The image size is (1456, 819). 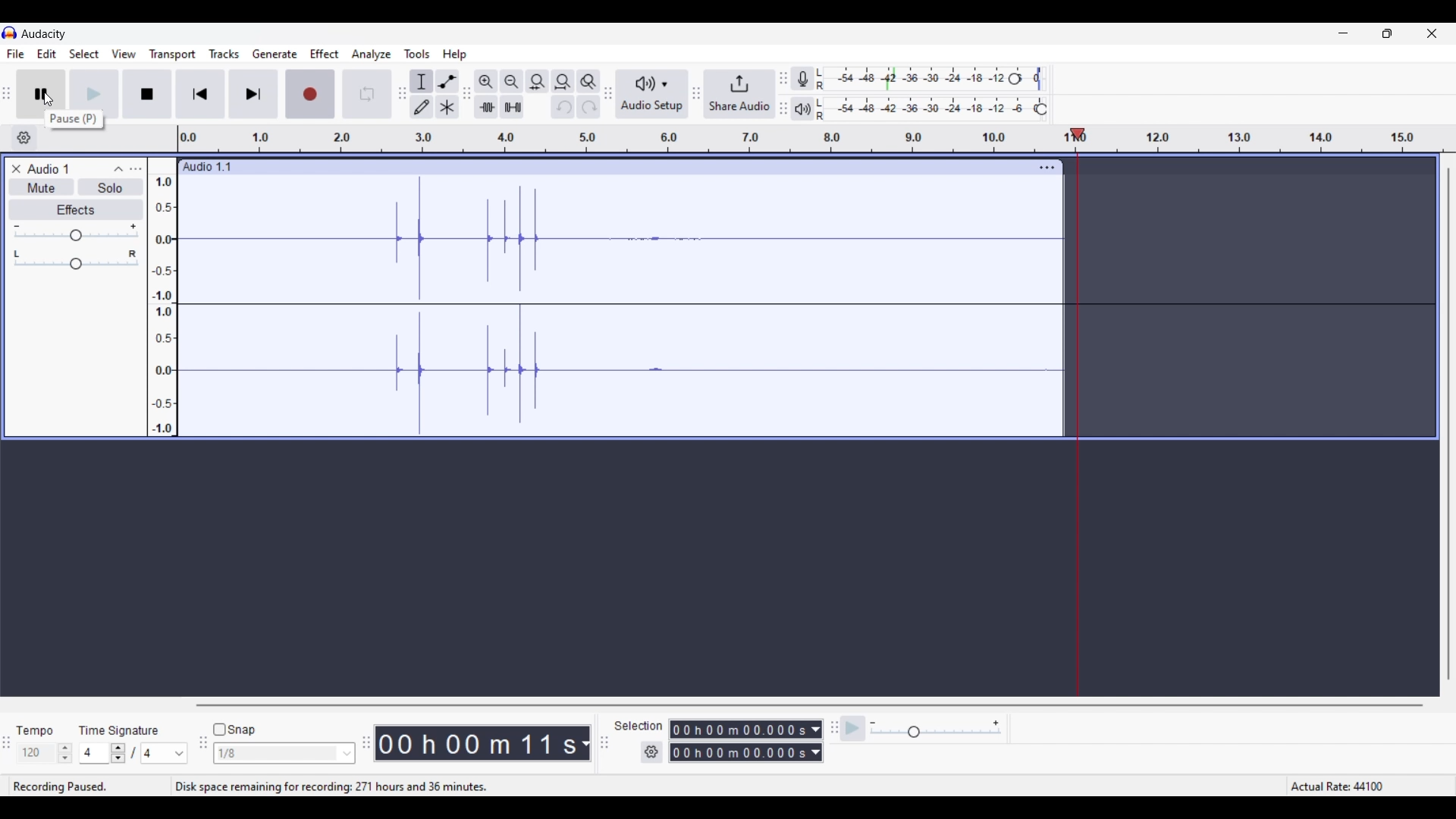 What do you see at coordinates (277, 754) in the screenshot?
I see `1/8` at bounding box center [277, 754].